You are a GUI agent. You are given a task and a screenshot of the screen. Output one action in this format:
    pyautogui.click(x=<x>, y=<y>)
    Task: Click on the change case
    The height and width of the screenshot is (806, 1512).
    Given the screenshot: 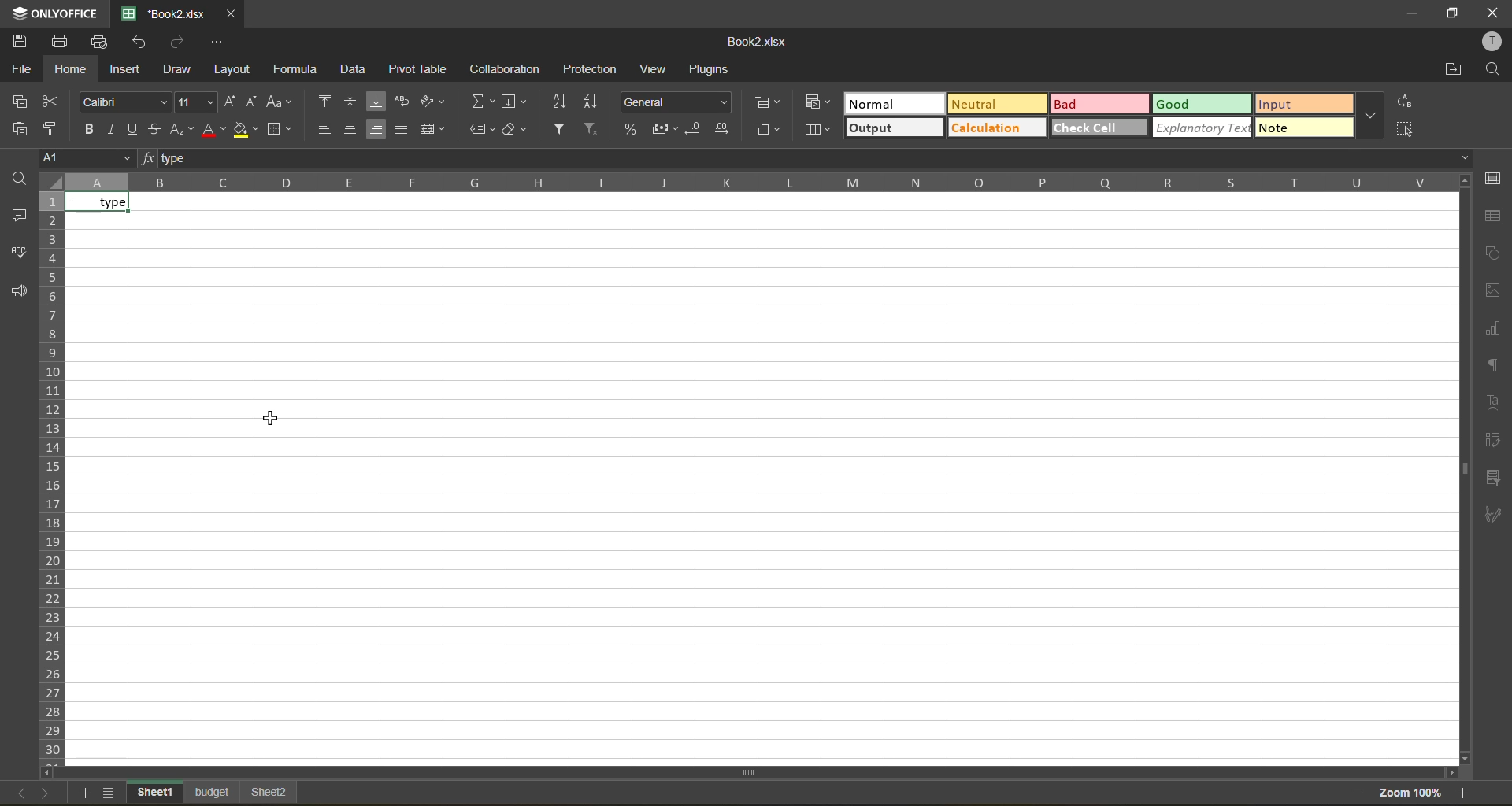 What is the action you would take?
    pyautogui.click(x=278, y=104)
    